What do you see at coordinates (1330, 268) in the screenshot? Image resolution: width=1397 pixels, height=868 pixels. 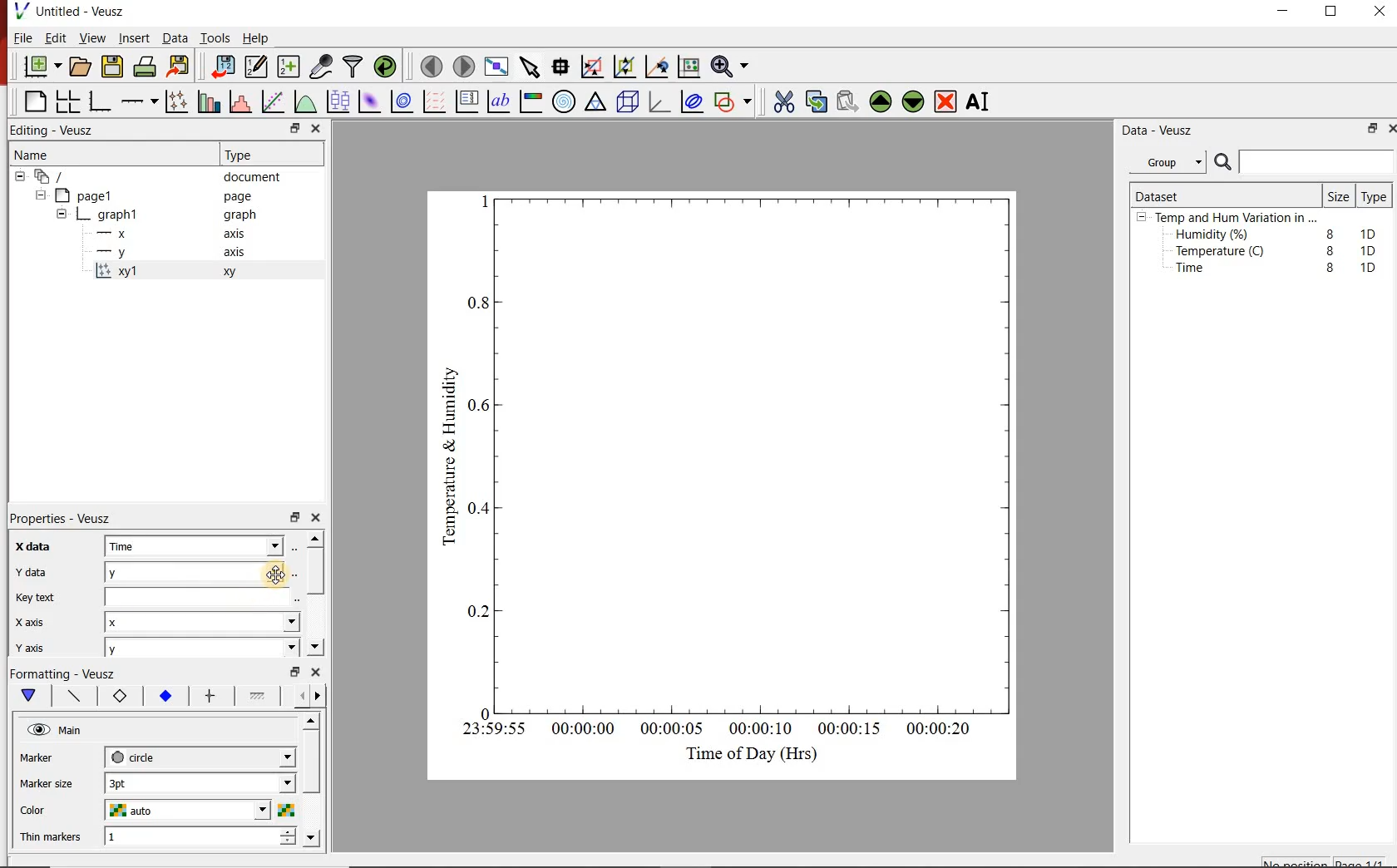 I see `8` at bounding box center [1330, 268].